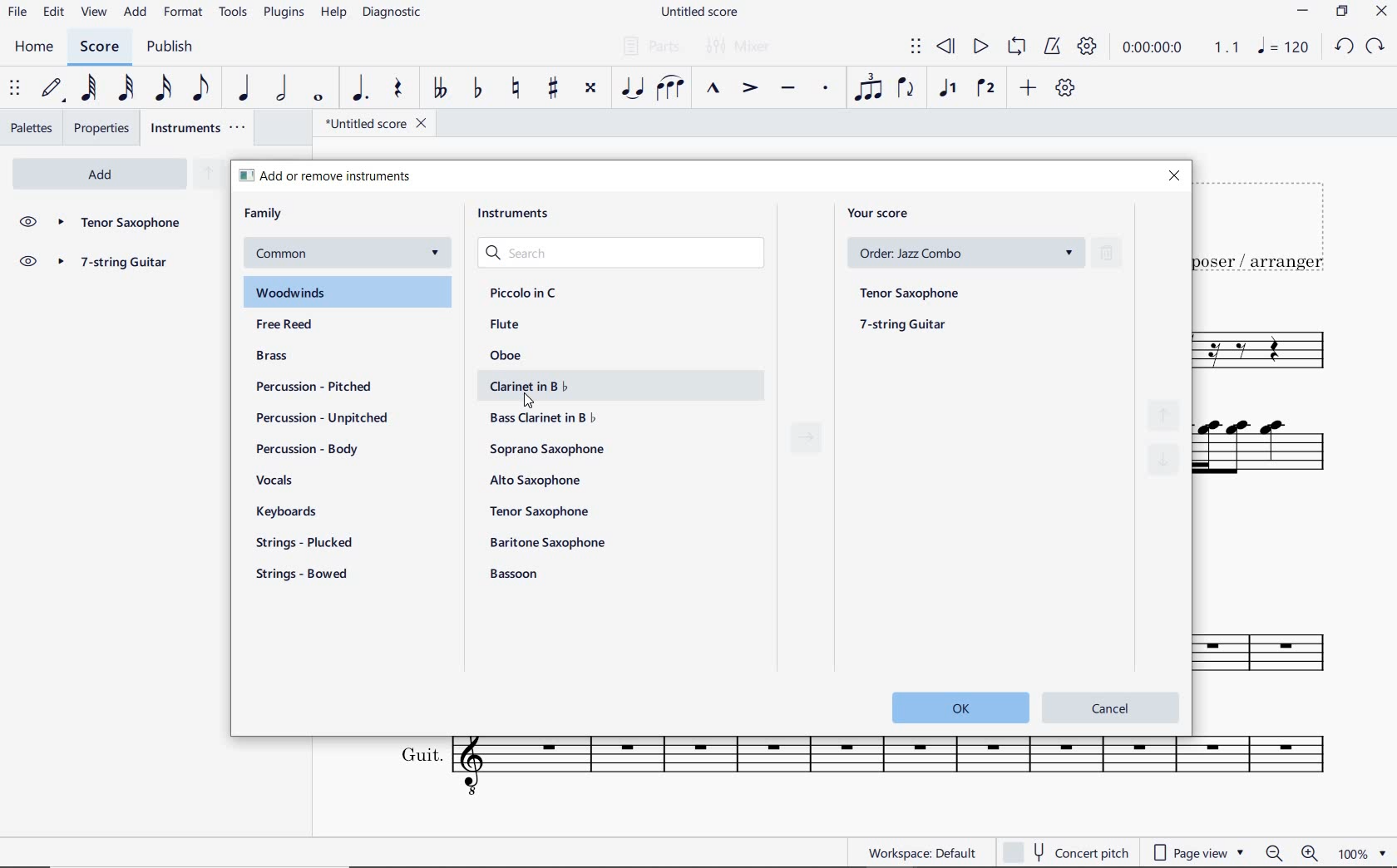 Image resolution: width=1397 pixels, height=868 pixels. I want to click on AUGMENTATION DOT, so click(361, 89).